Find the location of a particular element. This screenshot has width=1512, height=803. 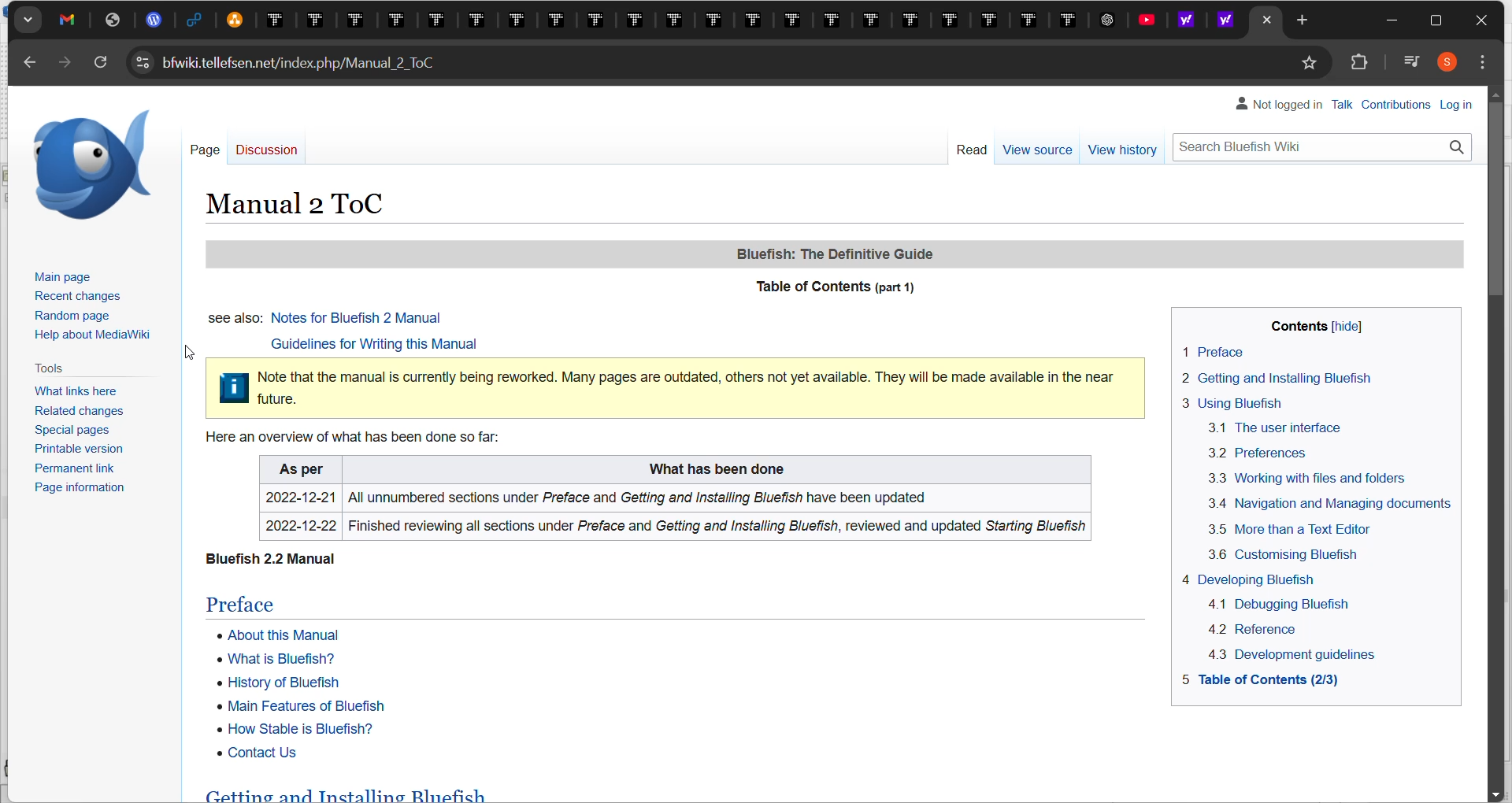

view source is located at coordinates (1036, 153).